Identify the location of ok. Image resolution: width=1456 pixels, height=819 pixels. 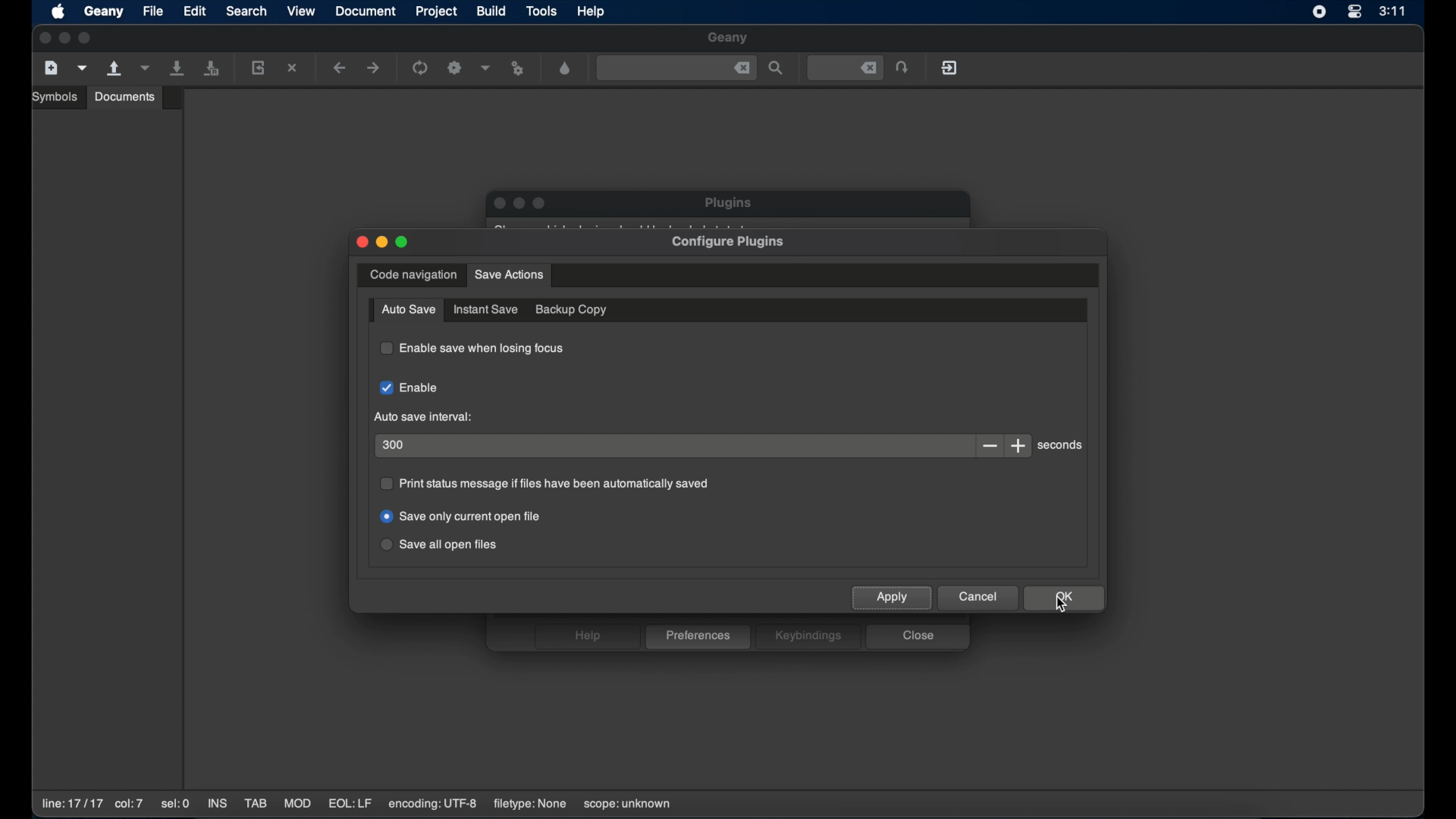
(1065, 598).